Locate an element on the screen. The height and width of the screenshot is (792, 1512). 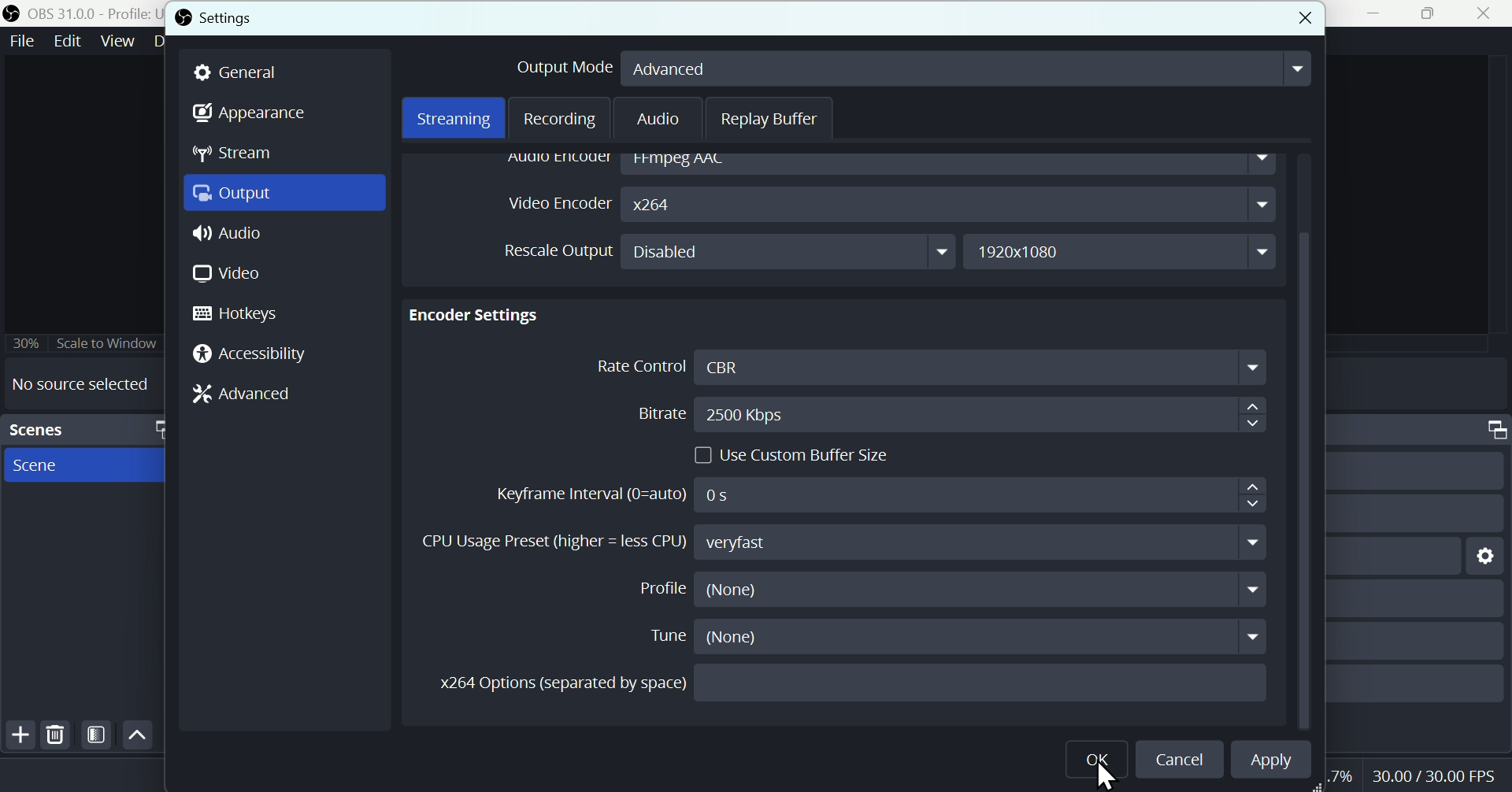
separated by space is located at coordinates (854, 684).